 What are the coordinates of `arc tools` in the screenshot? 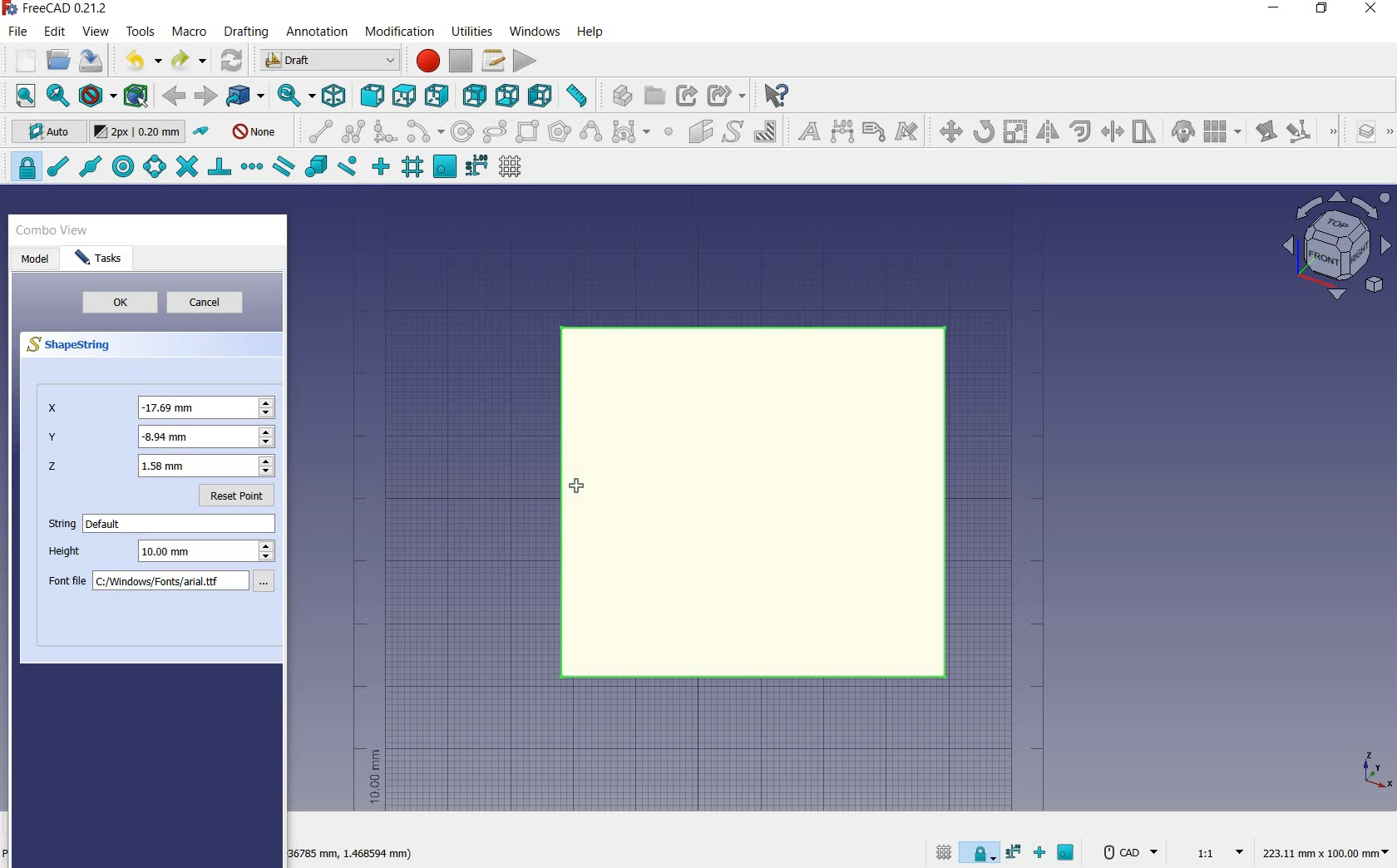 It's located at (425, 132).